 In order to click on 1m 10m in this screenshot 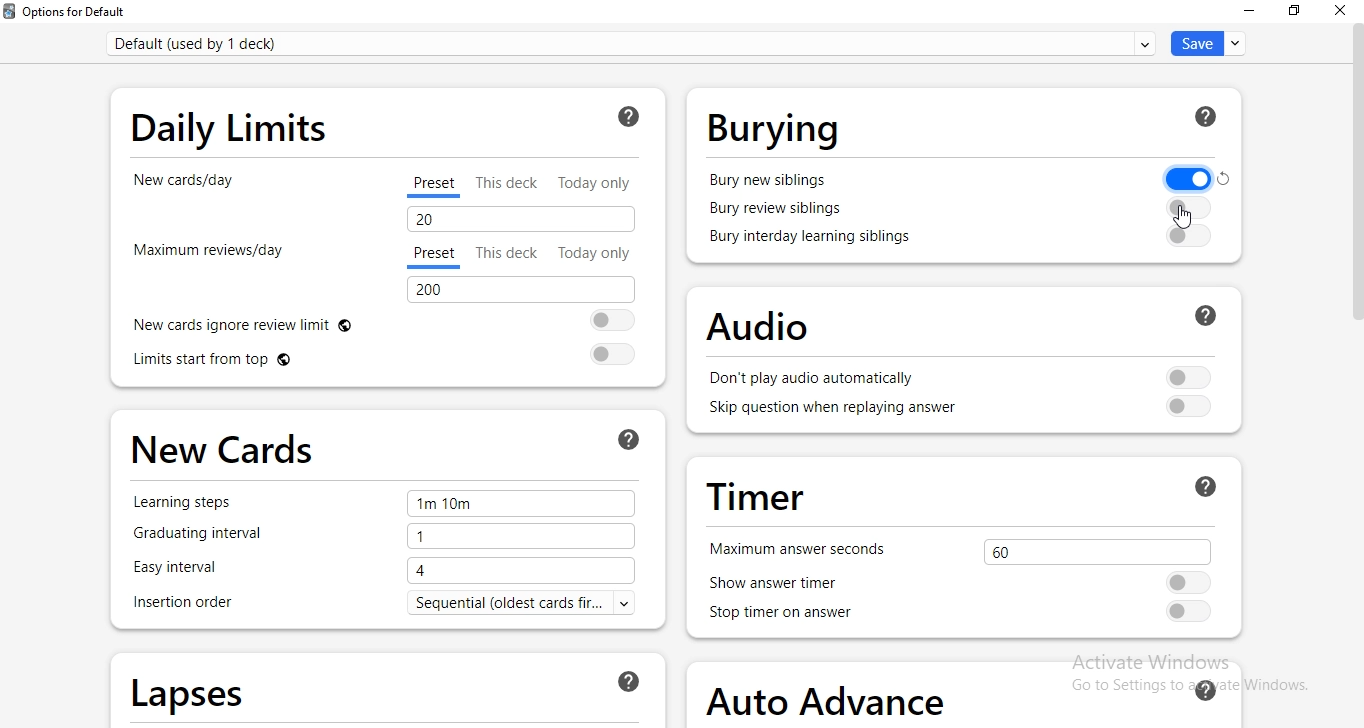, I will do `click(521, 505)`.